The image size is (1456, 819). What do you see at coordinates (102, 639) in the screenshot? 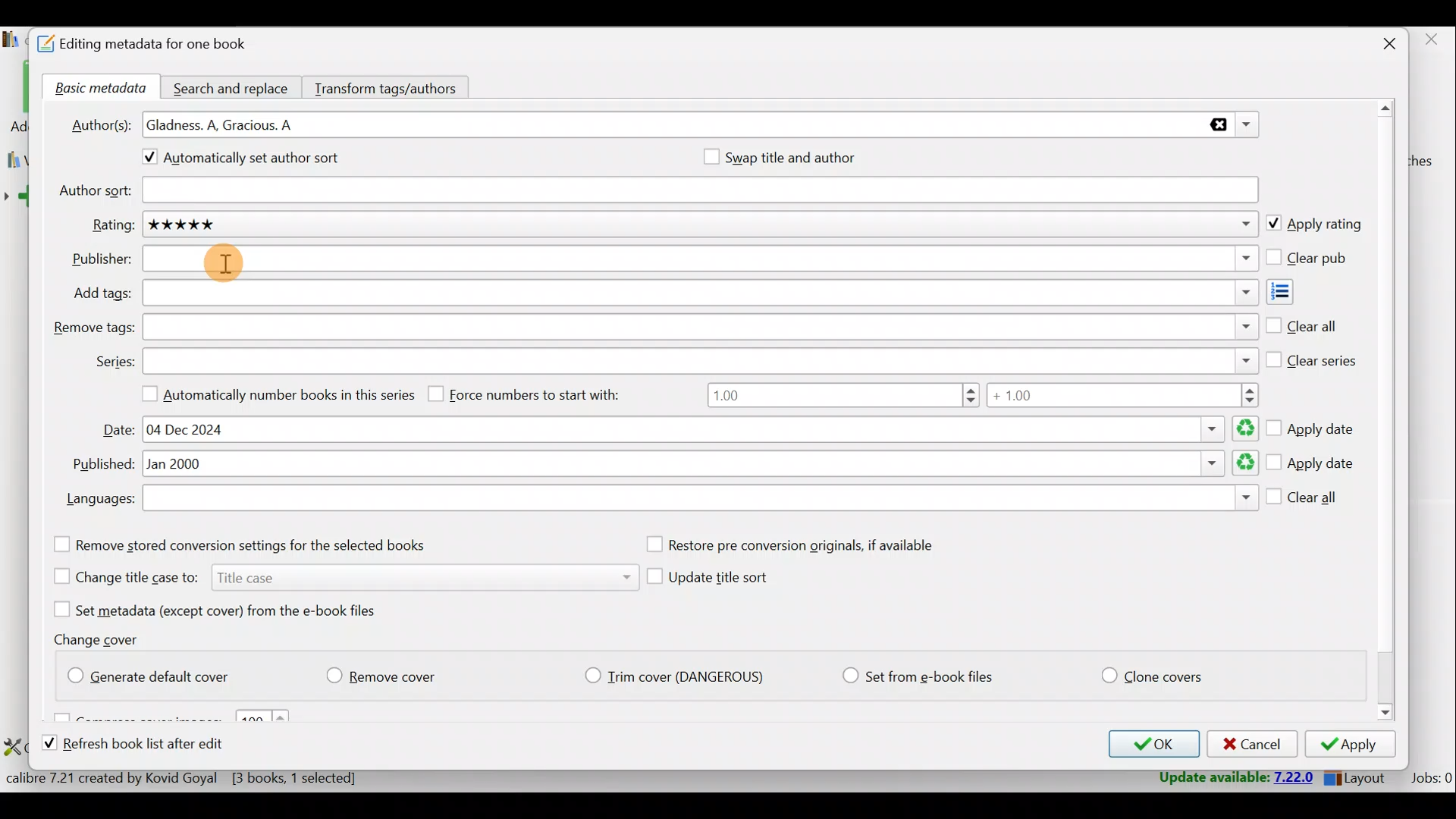
I see `Change cover` at bounding box center [102, 639].